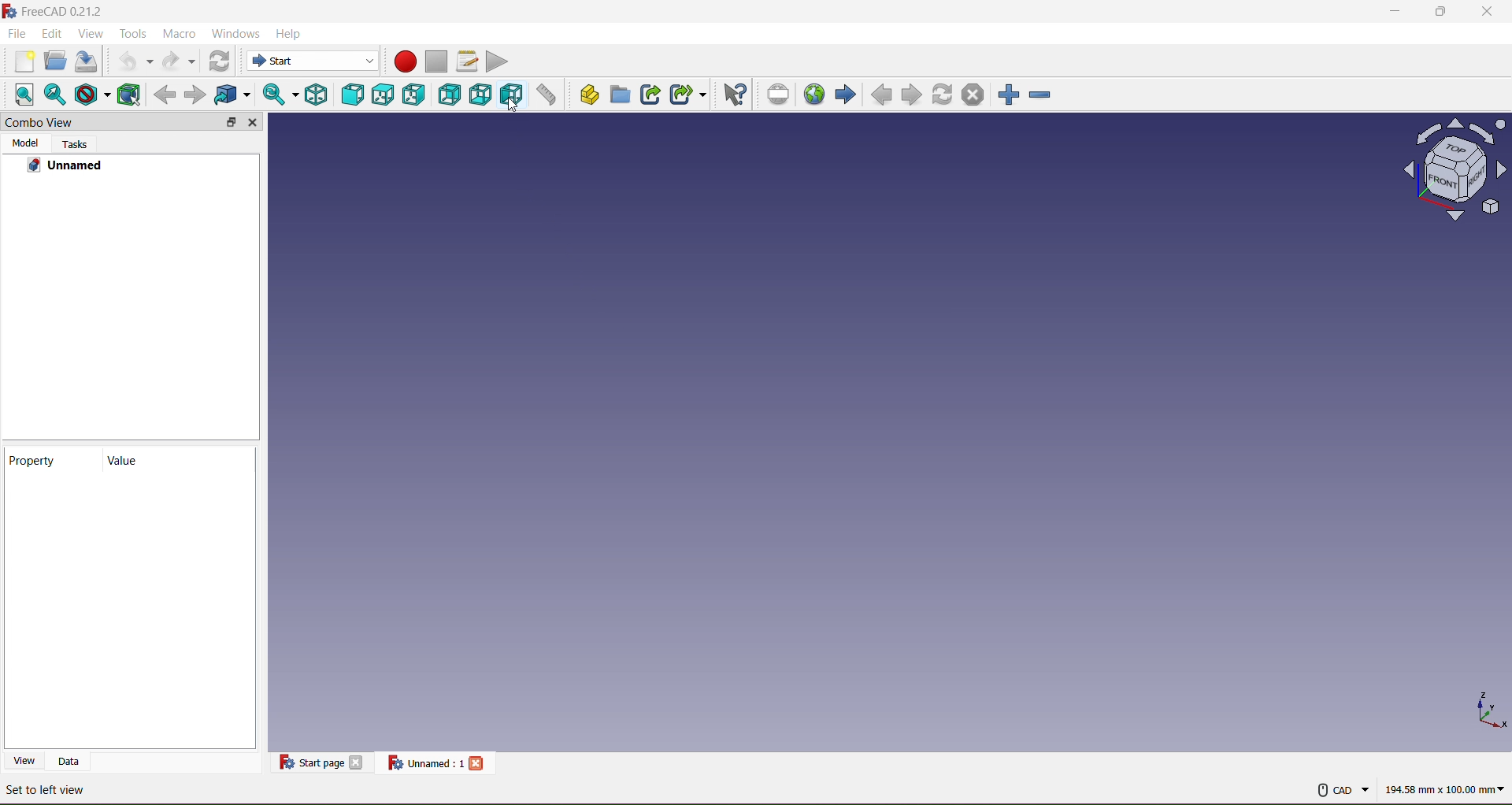 This screenshot has height=805, width=1512. What do you see at coordinates (435, 762) in the screenshot?
I see `Unnamed file ` at bounding box center [435, 762].